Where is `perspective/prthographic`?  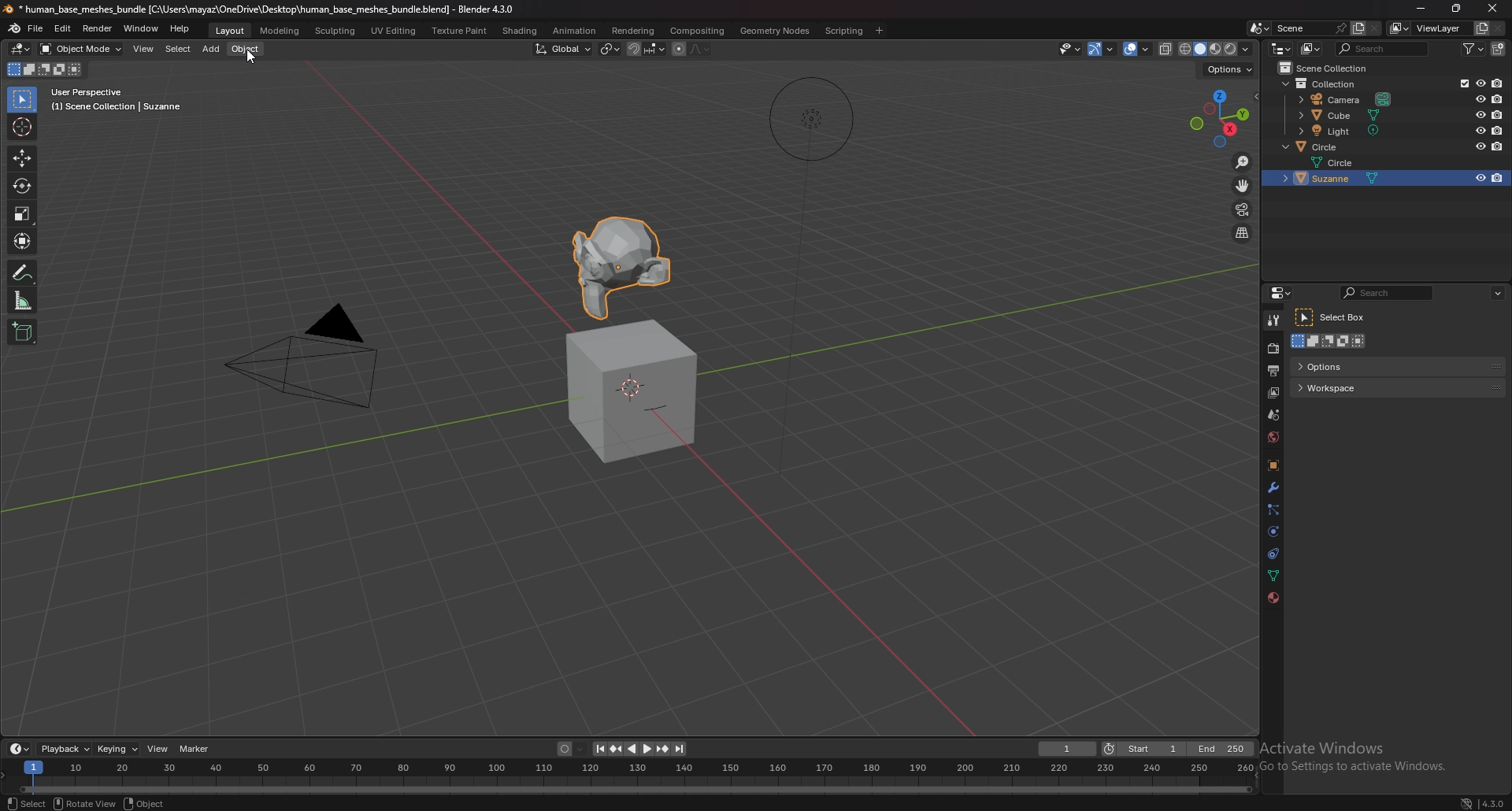
perspective/prthographic is located at coordinates (1243, 233).